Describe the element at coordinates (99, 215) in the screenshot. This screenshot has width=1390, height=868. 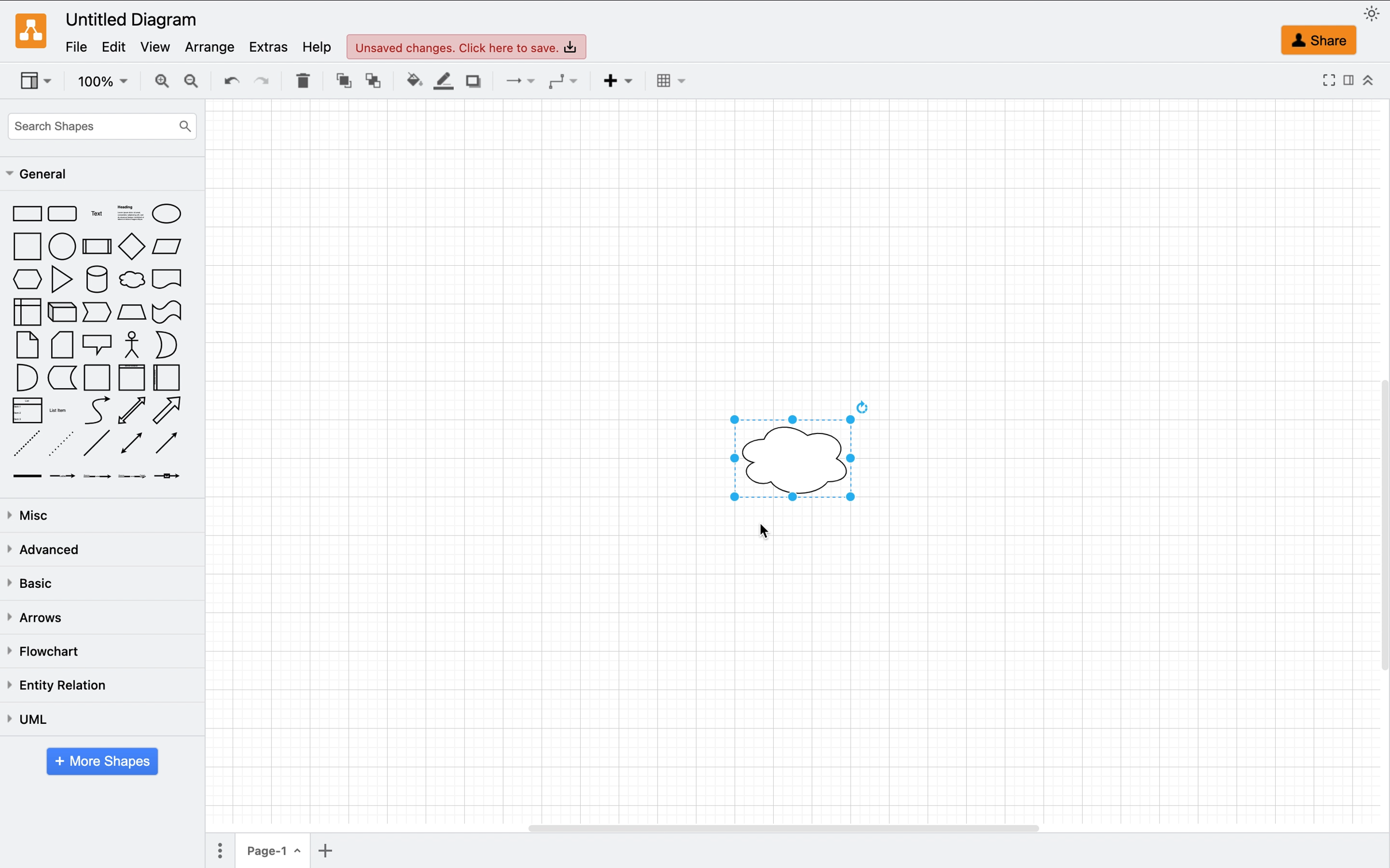
I see `text` at that location.